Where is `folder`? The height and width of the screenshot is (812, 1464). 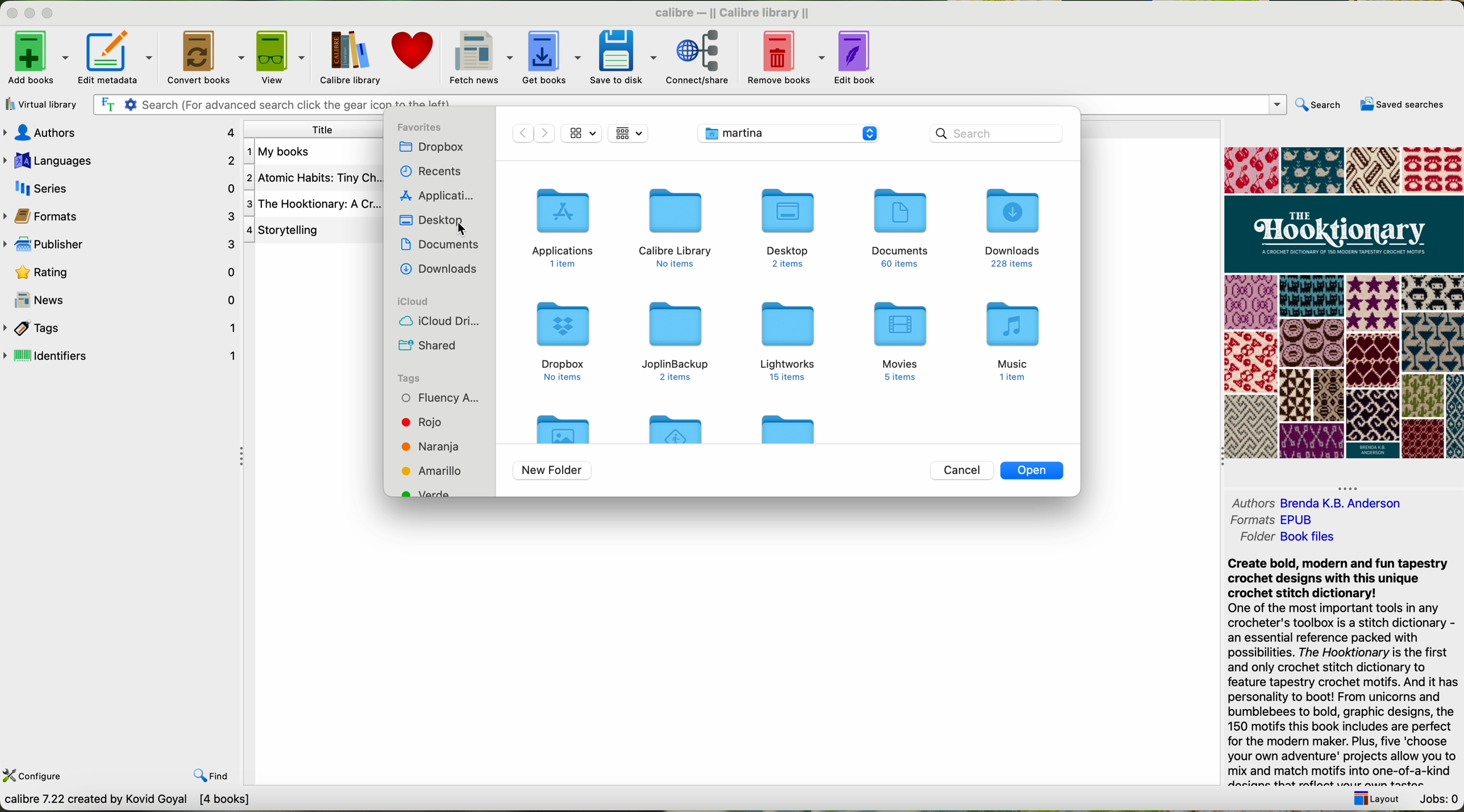
folder is located at coordinates (677, 427).